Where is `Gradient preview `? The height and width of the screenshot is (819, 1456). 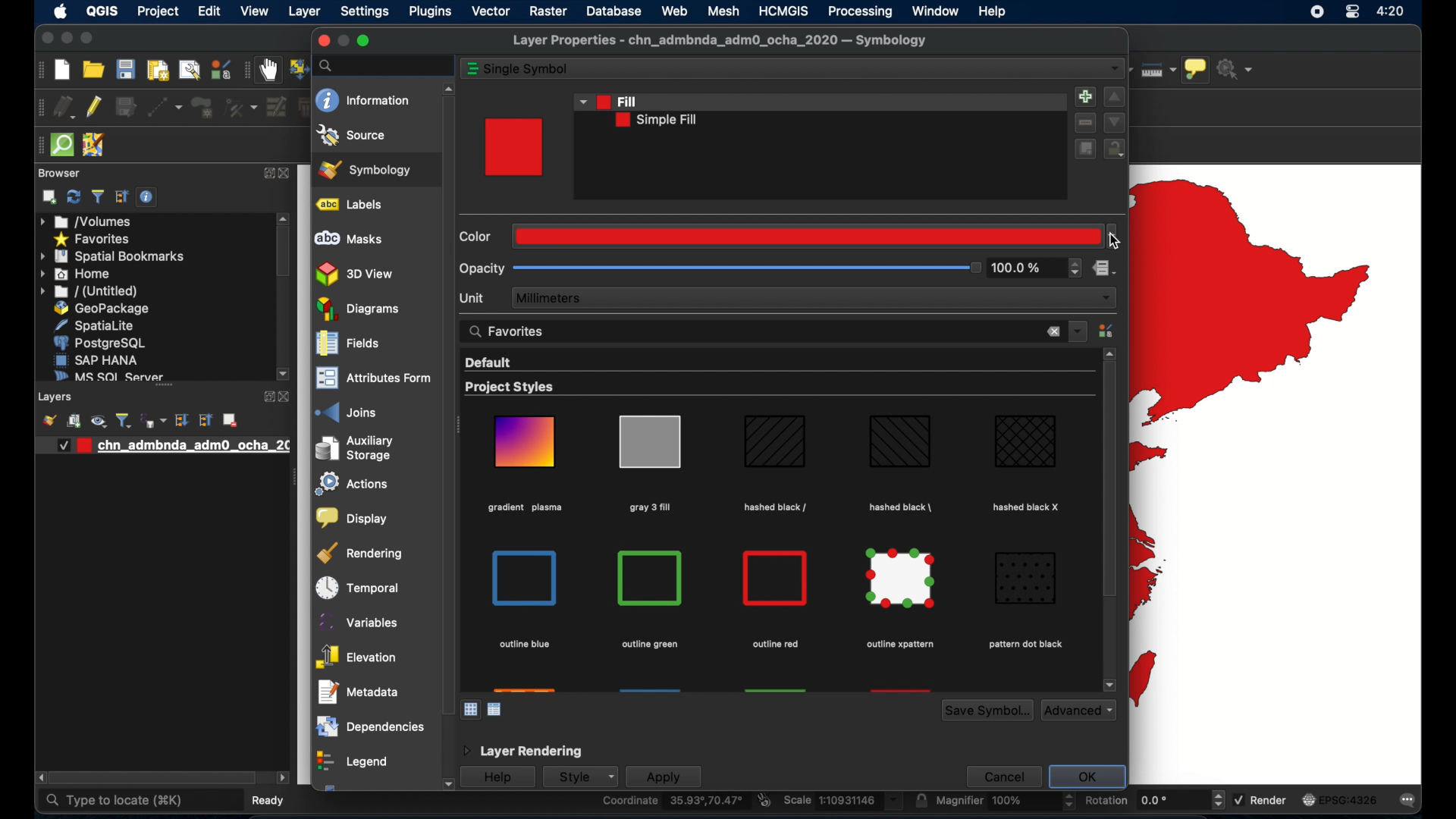
Gradient preview  is located at coordinates (776, 579).